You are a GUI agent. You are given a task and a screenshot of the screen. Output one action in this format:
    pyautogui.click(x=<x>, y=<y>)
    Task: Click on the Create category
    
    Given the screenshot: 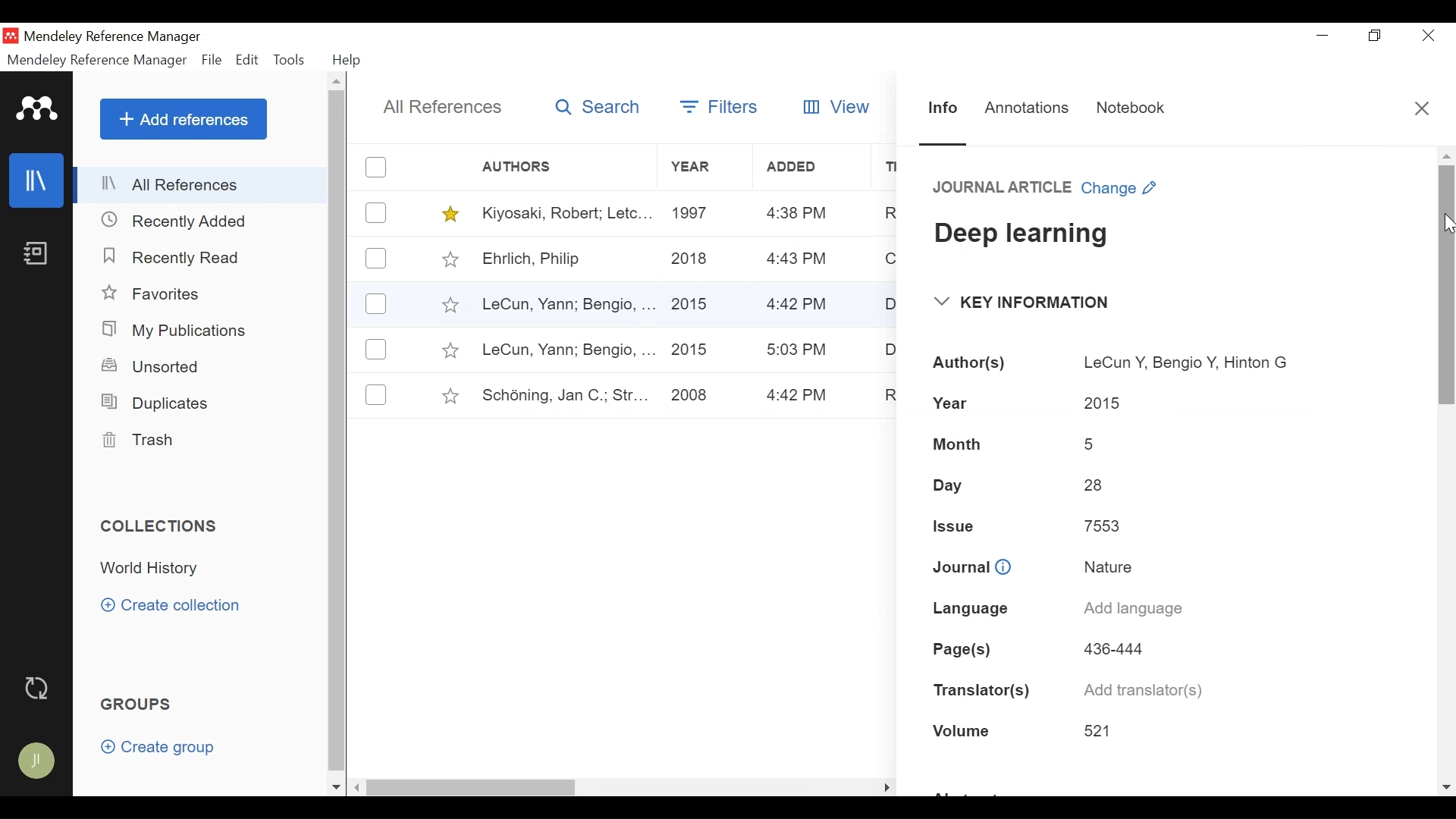 What is the action you would take?
    pyautogui.click(x=172, y=604)
    